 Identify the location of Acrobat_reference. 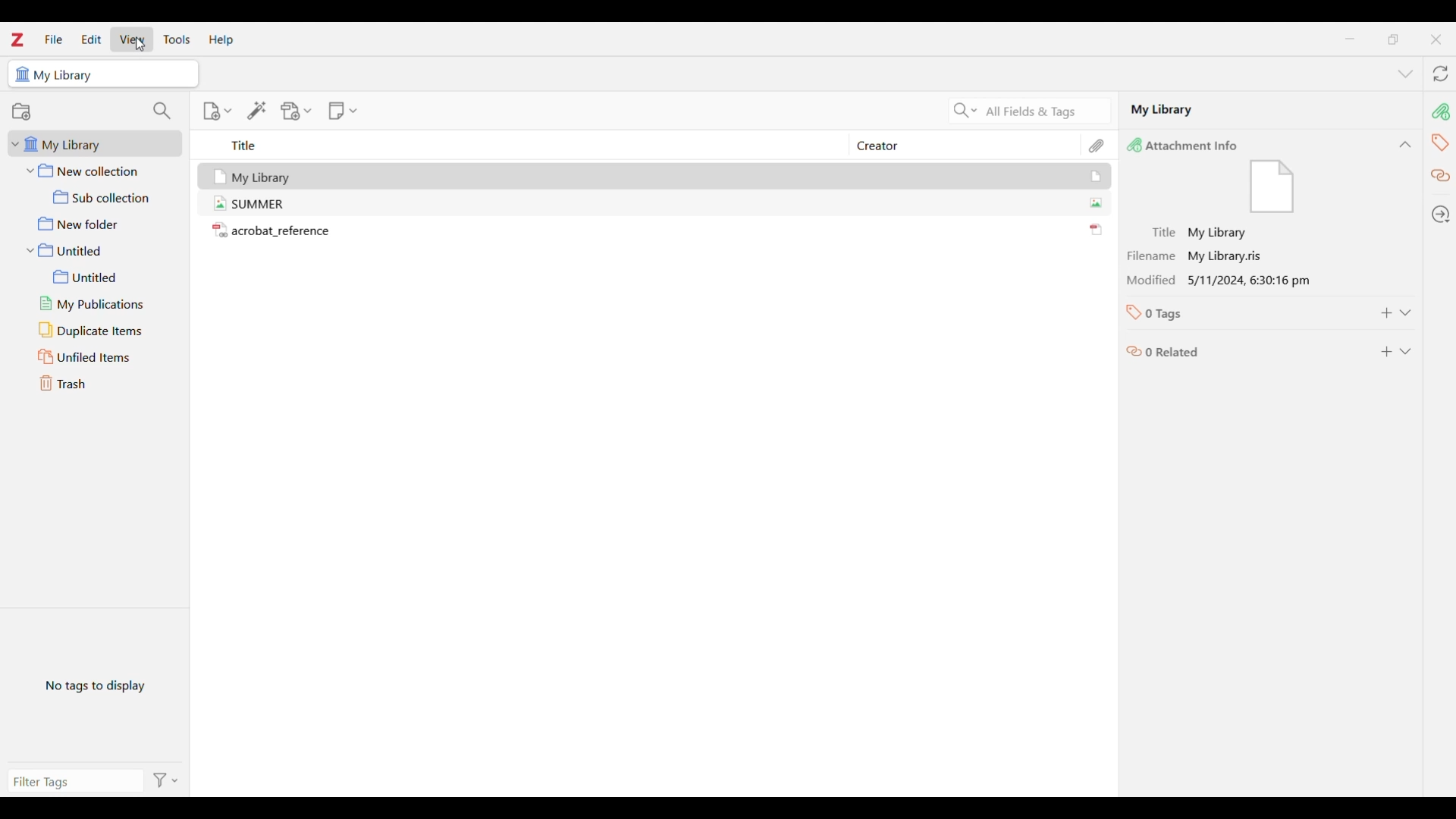
(280, 232).